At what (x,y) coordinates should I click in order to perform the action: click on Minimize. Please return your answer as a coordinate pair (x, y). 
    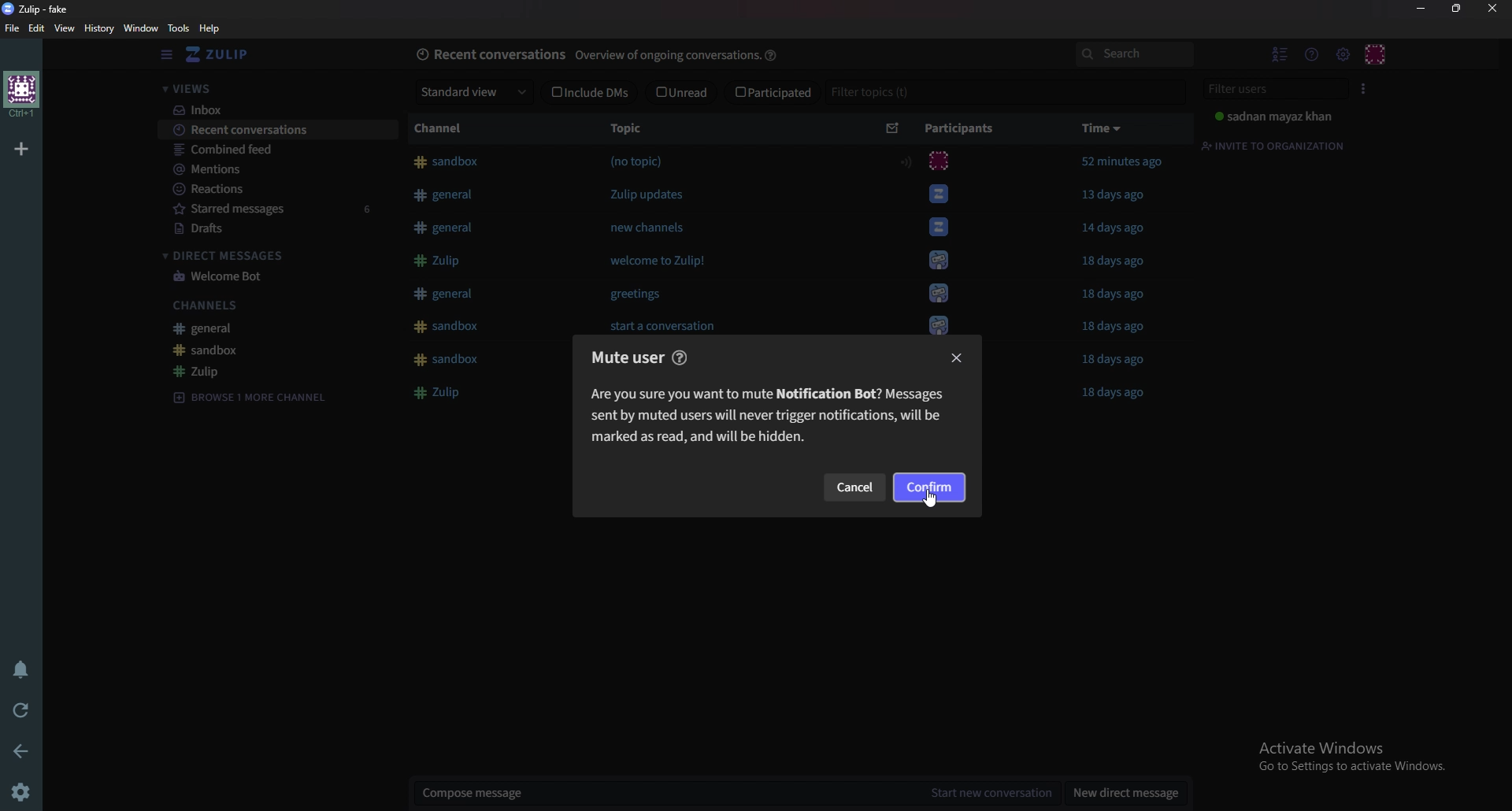
    Looking at the image, I should click on (1422, 7).